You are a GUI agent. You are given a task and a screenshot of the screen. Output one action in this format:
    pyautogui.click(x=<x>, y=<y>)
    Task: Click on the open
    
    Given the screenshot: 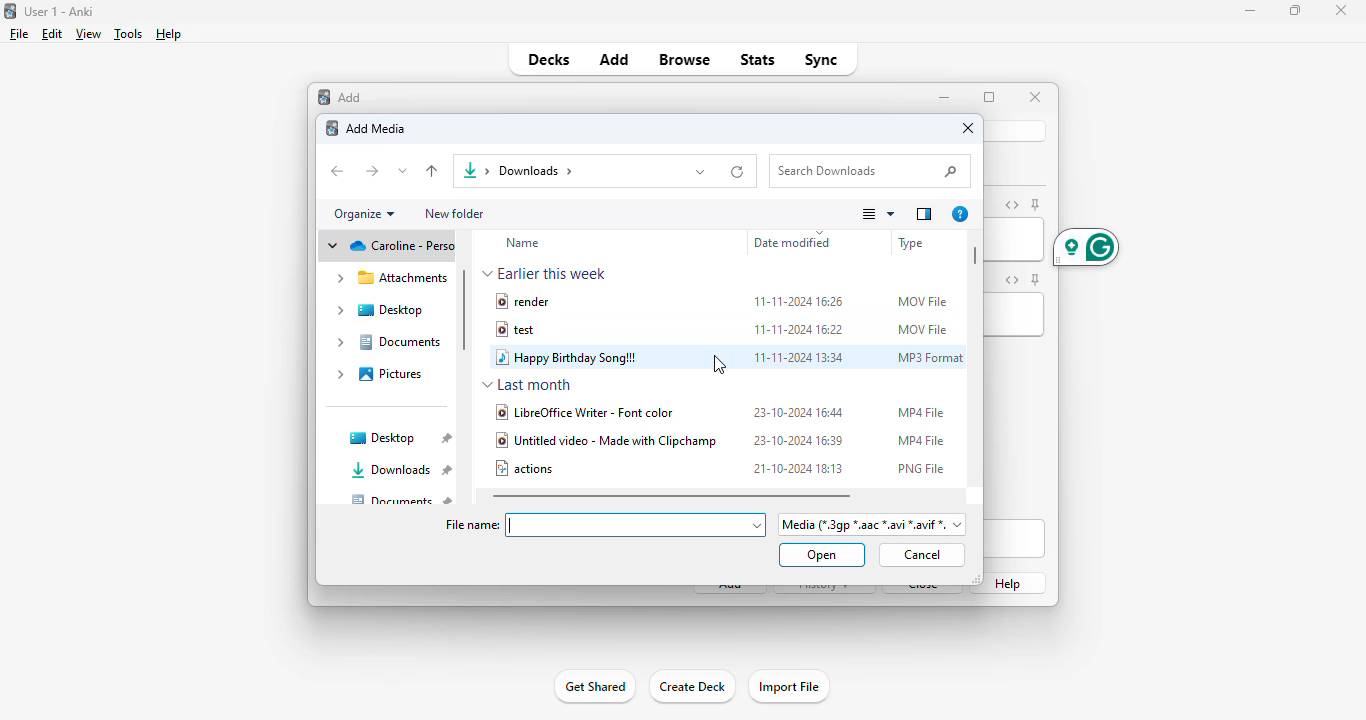 What is the action you would take?
    pyautogui.click(x=823, y=555)
    